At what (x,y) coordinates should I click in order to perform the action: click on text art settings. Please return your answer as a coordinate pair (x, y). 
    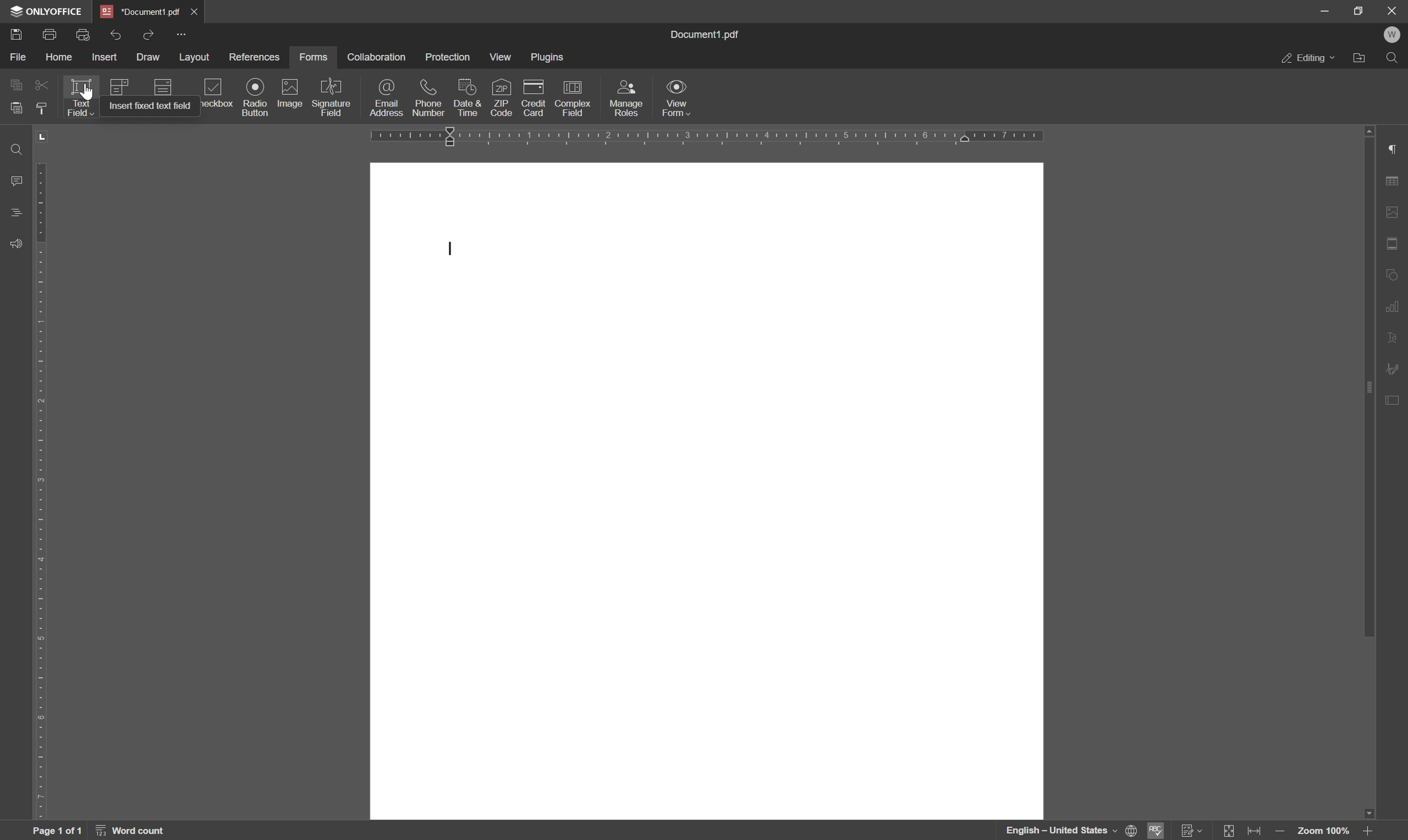
    Looking at the image, I should click on (1394, 333).